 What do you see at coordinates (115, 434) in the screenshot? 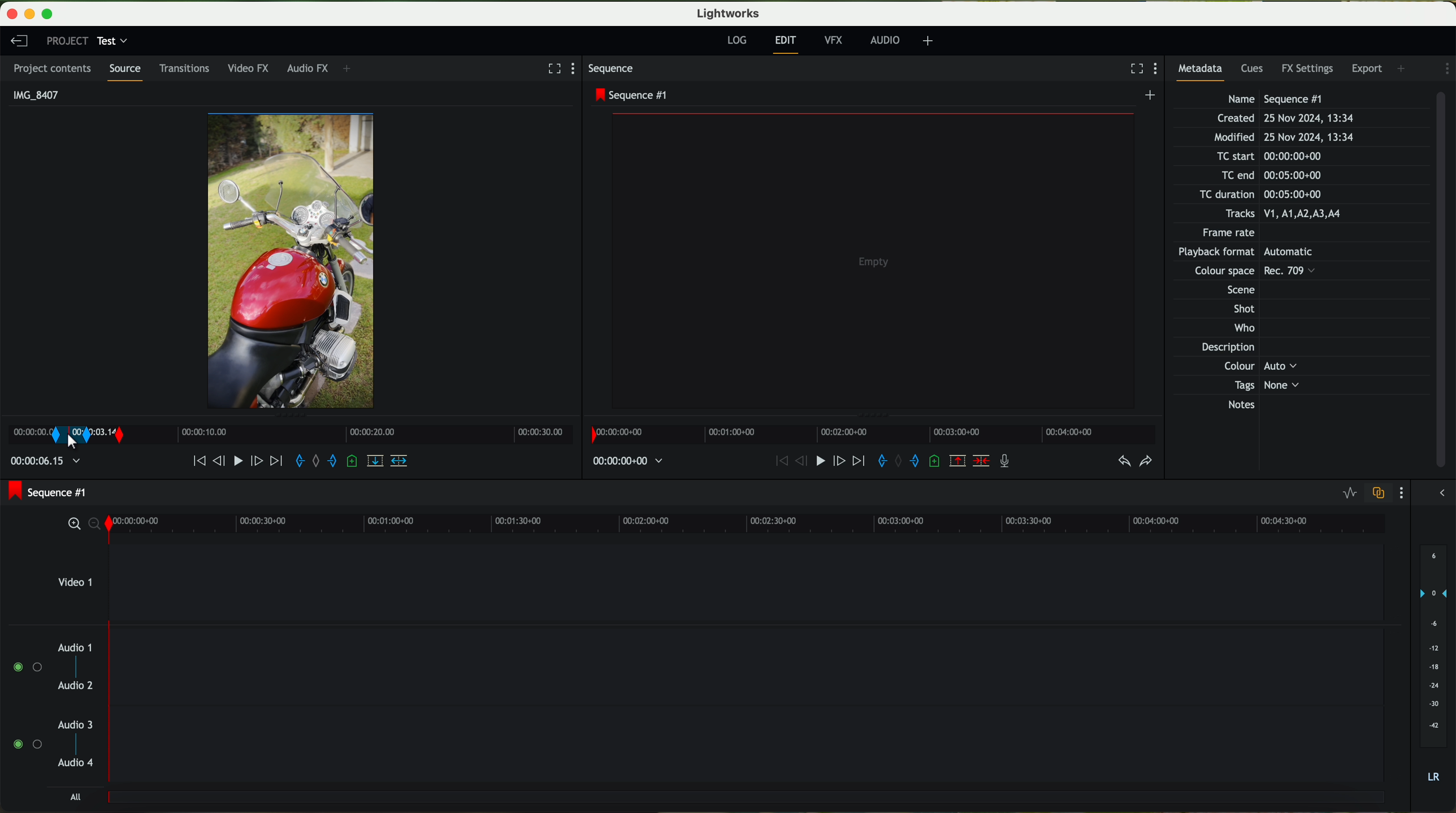
I see `transition` at bounding box center [115, 434].